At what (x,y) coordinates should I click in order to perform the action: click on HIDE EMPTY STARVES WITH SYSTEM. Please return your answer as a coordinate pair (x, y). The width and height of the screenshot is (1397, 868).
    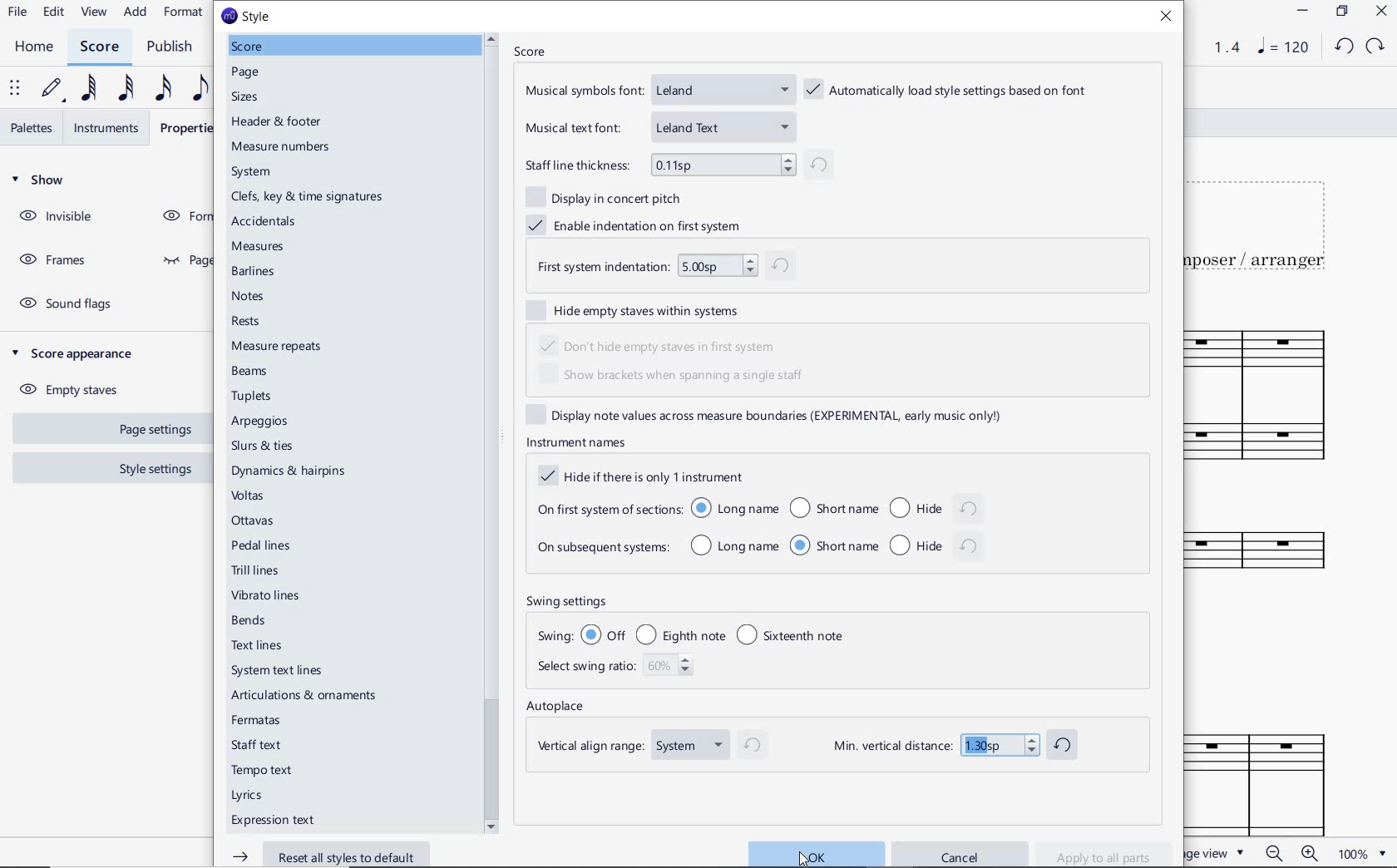
    Looking at the image, I should click on (641, 311).